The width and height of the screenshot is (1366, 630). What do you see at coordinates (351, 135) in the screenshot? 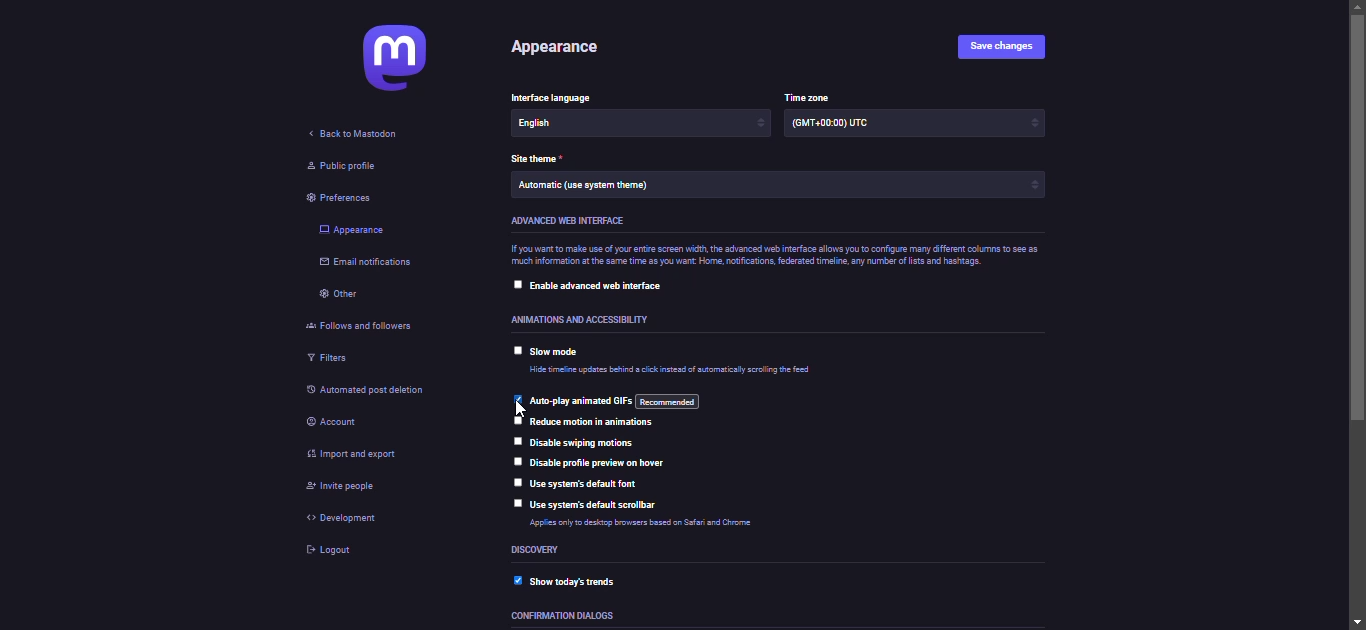
I see `back to mastodon` at bounding box center [351, 135].